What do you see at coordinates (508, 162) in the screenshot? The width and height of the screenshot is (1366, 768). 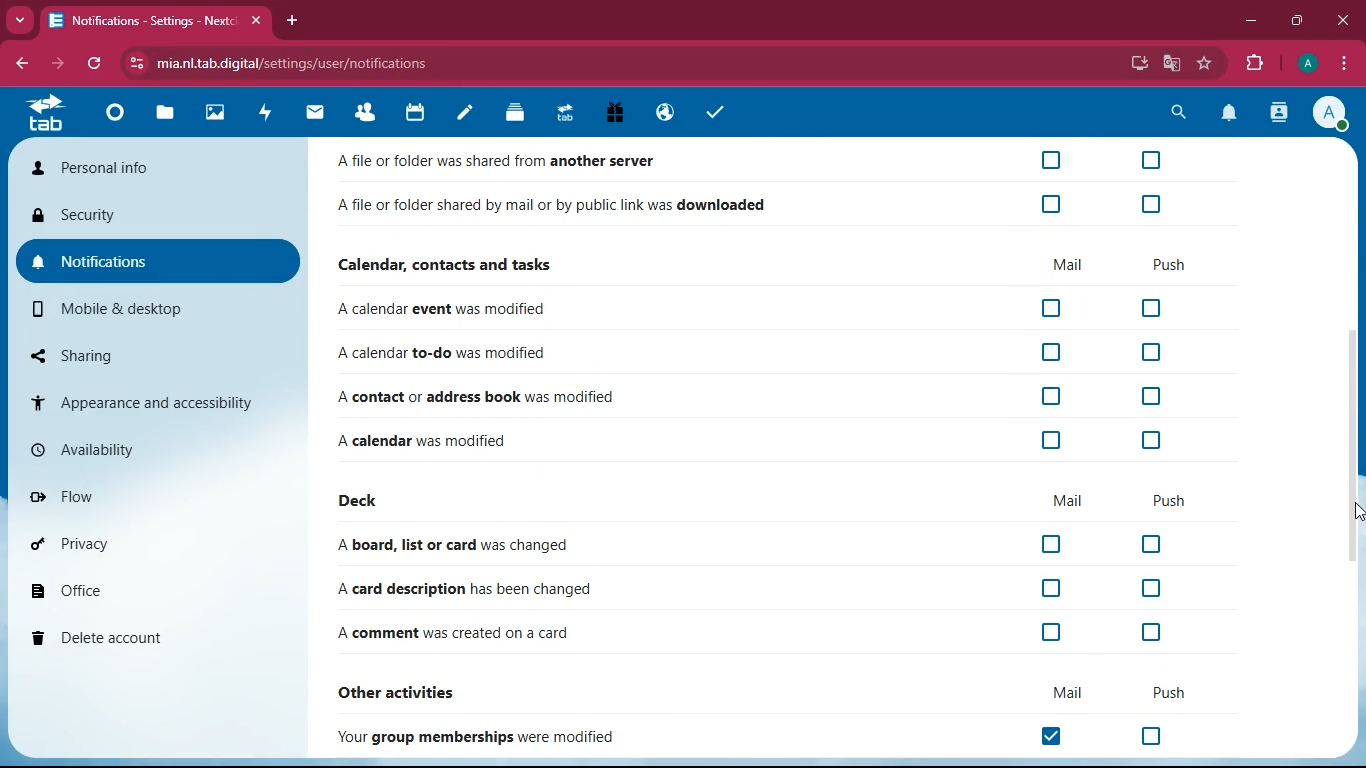 I see `A Tile or folder was shared from another server` at bounding box center [508, 162].